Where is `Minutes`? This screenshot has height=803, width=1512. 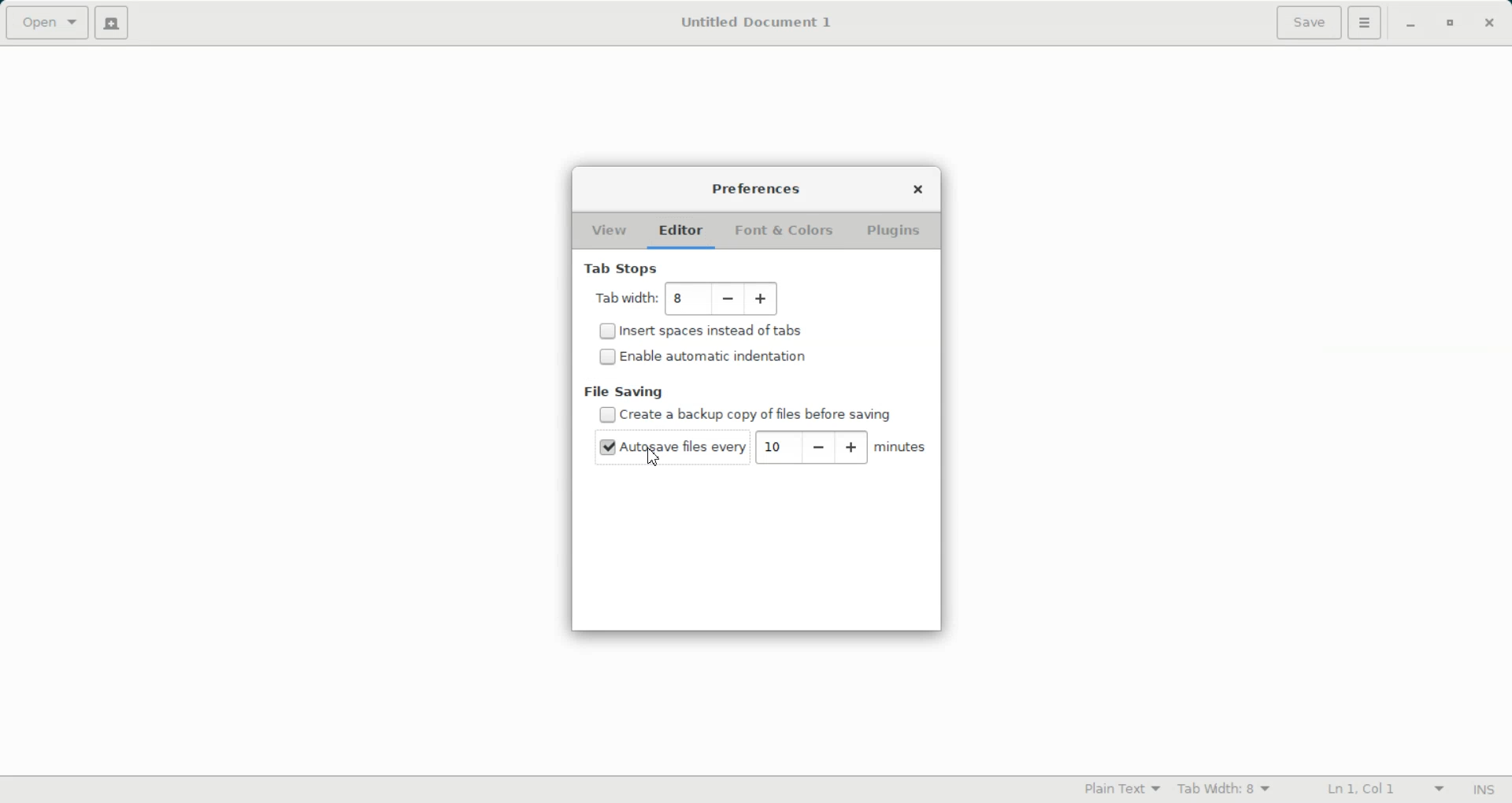
Minutes is located at coordinates (900, 448).